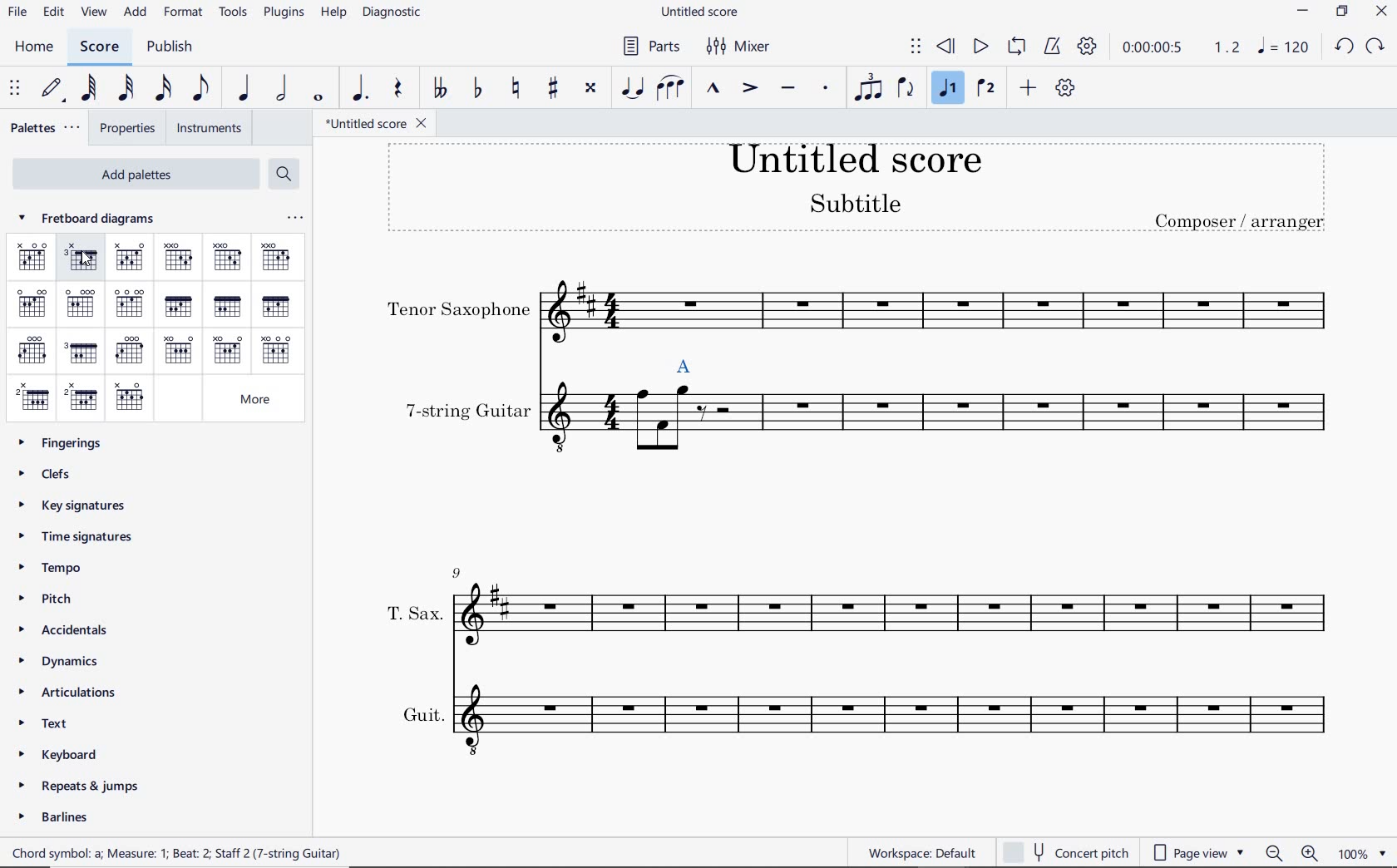  Describe the element at coordinates (16, 90) in the screenshot. I see `SELECET TO MOVE` at that location.